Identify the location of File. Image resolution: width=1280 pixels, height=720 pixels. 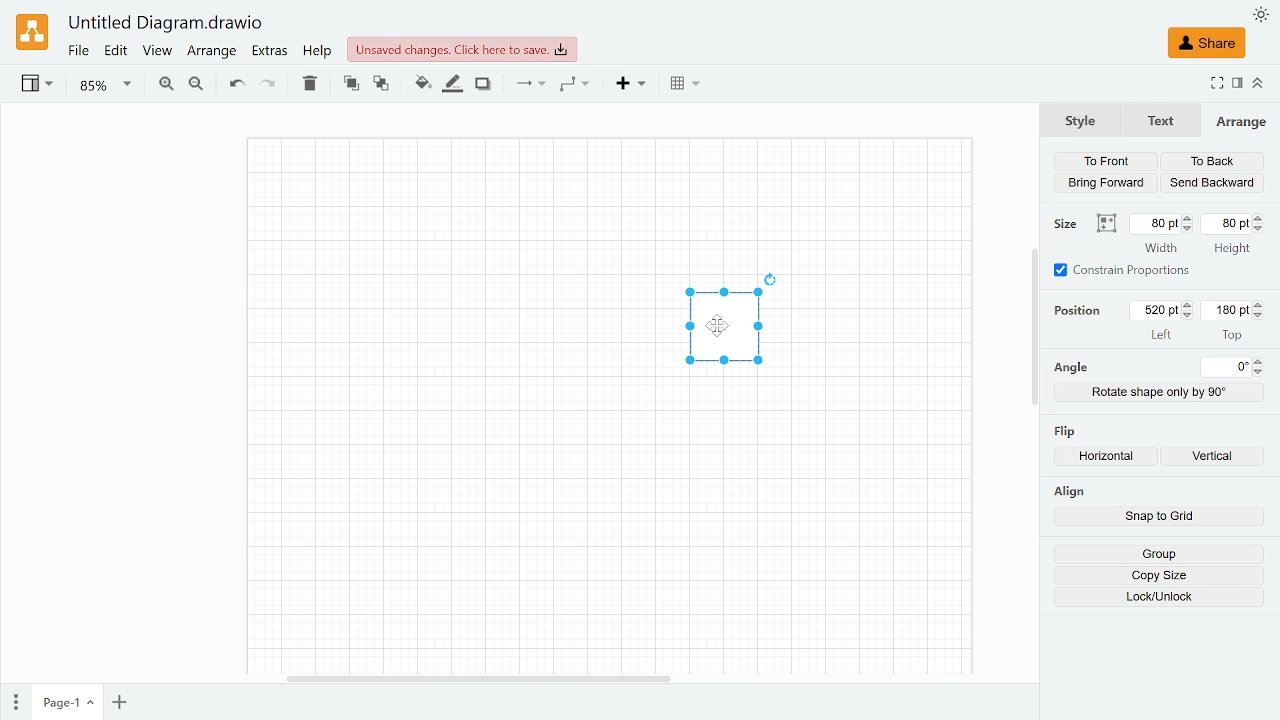
(78, 51).